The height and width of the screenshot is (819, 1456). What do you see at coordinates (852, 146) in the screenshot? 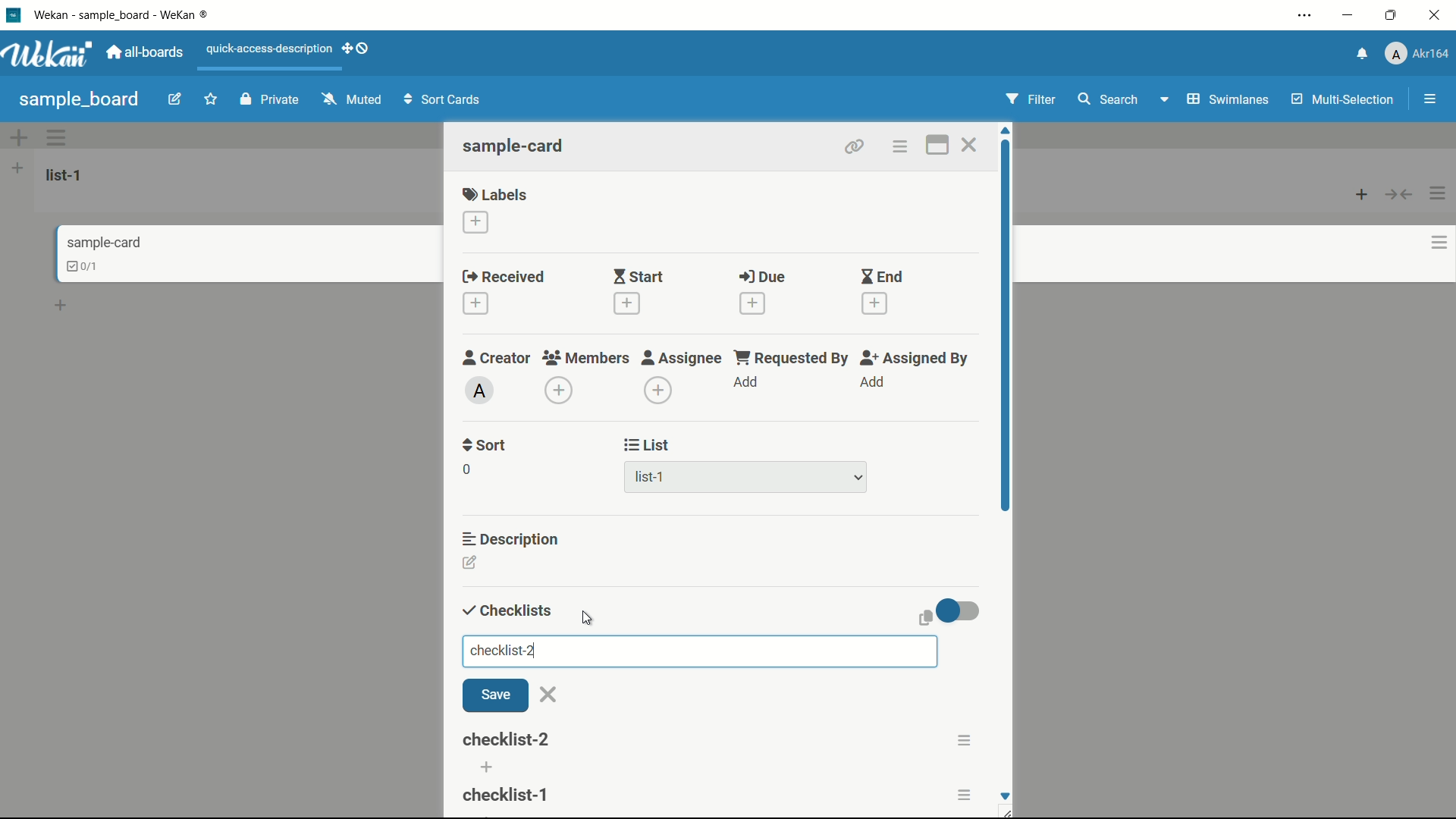
I see `copy link to clipboard` at bounding box center [852, 146].